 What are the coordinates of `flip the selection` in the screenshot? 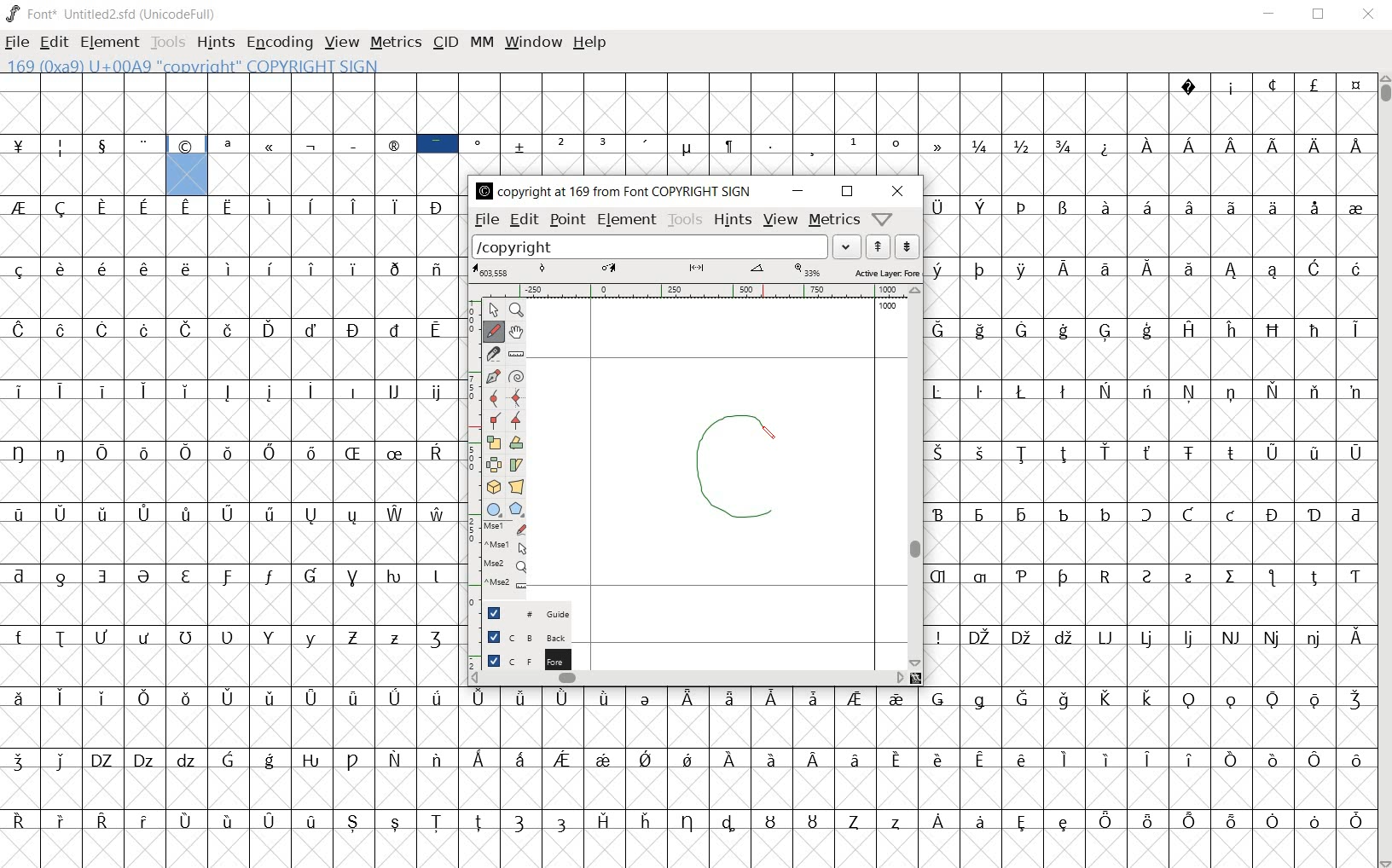 It's located at (495, 465).